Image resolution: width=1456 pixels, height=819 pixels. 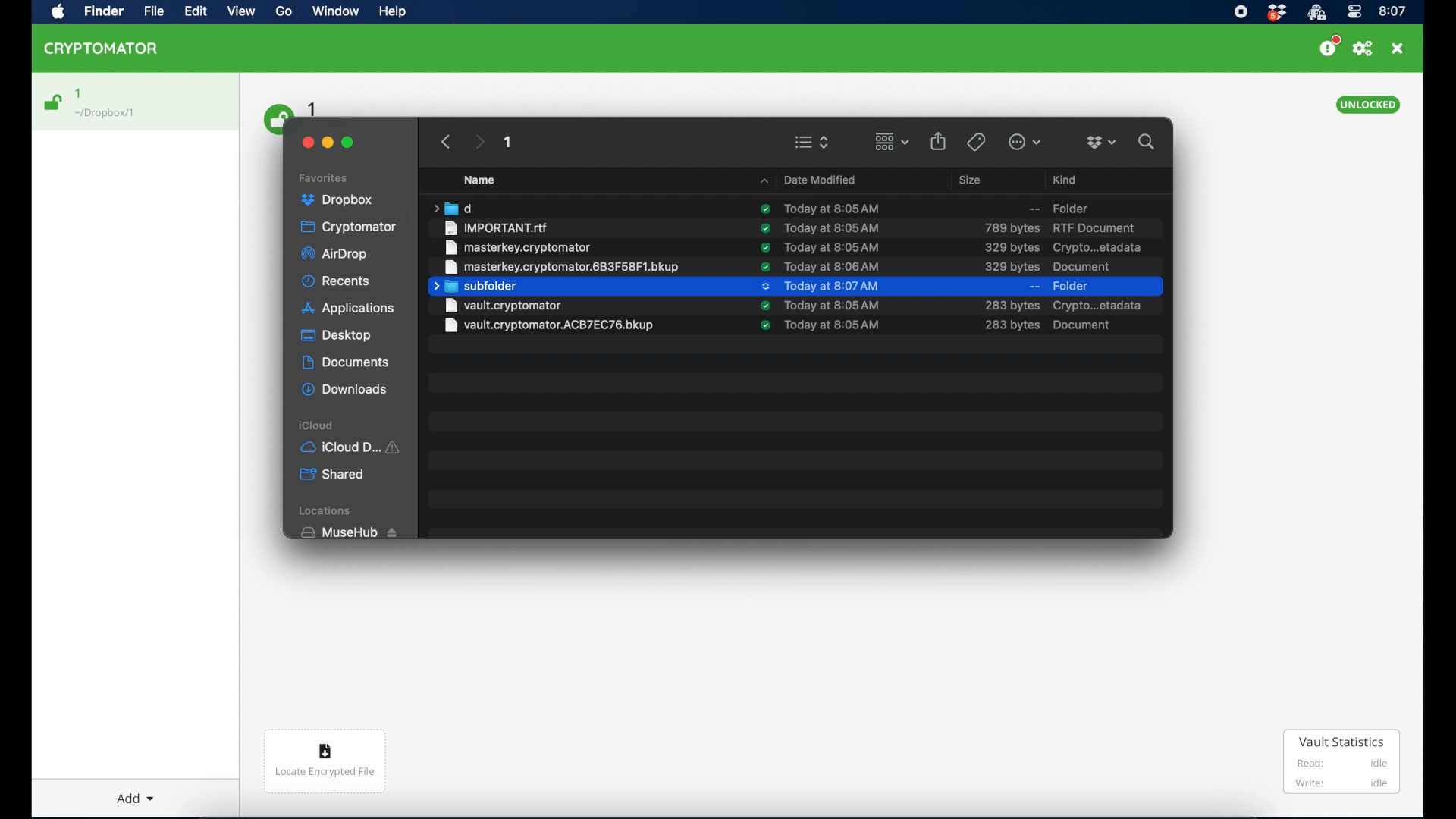 I want to click on sync, so click(x=764, y=210).